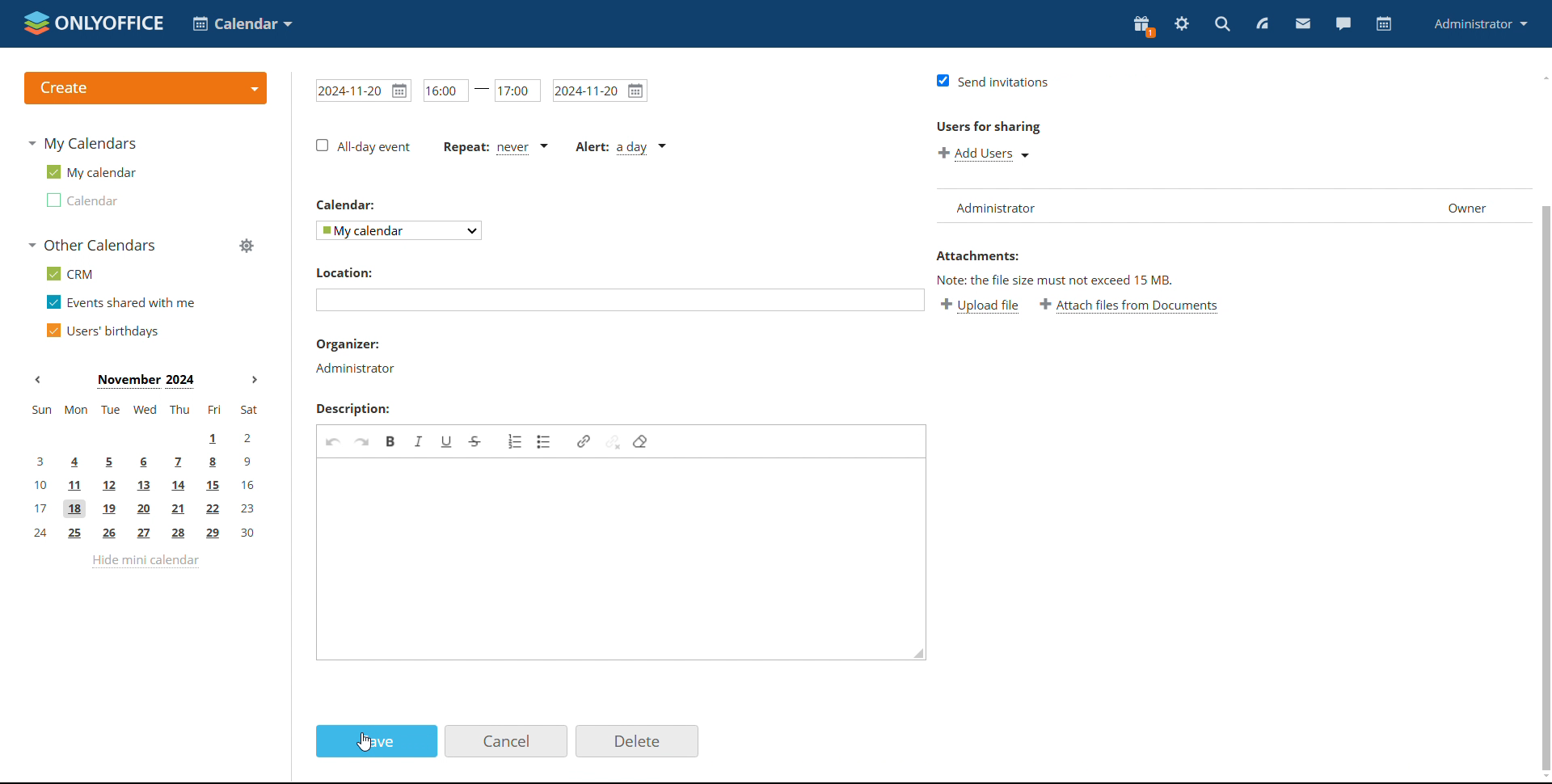 This screenshot has height=784, width=1552. Describe the element at coordinates (398, 230) in the screenshot. I see `select calendar` at that location.